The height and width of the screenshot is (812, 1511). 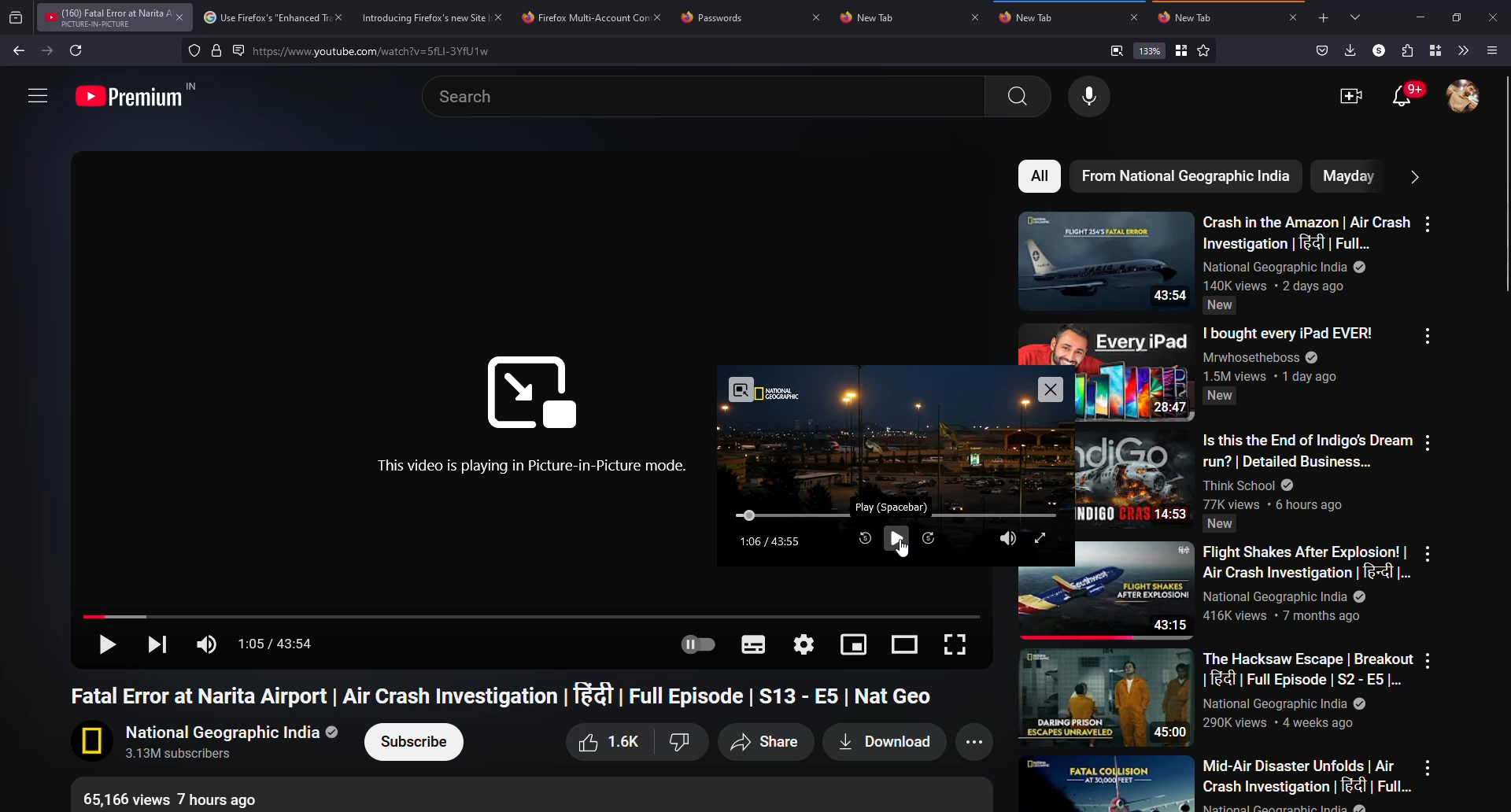 I want to click on bookmark, so click(x=1181, y=50).